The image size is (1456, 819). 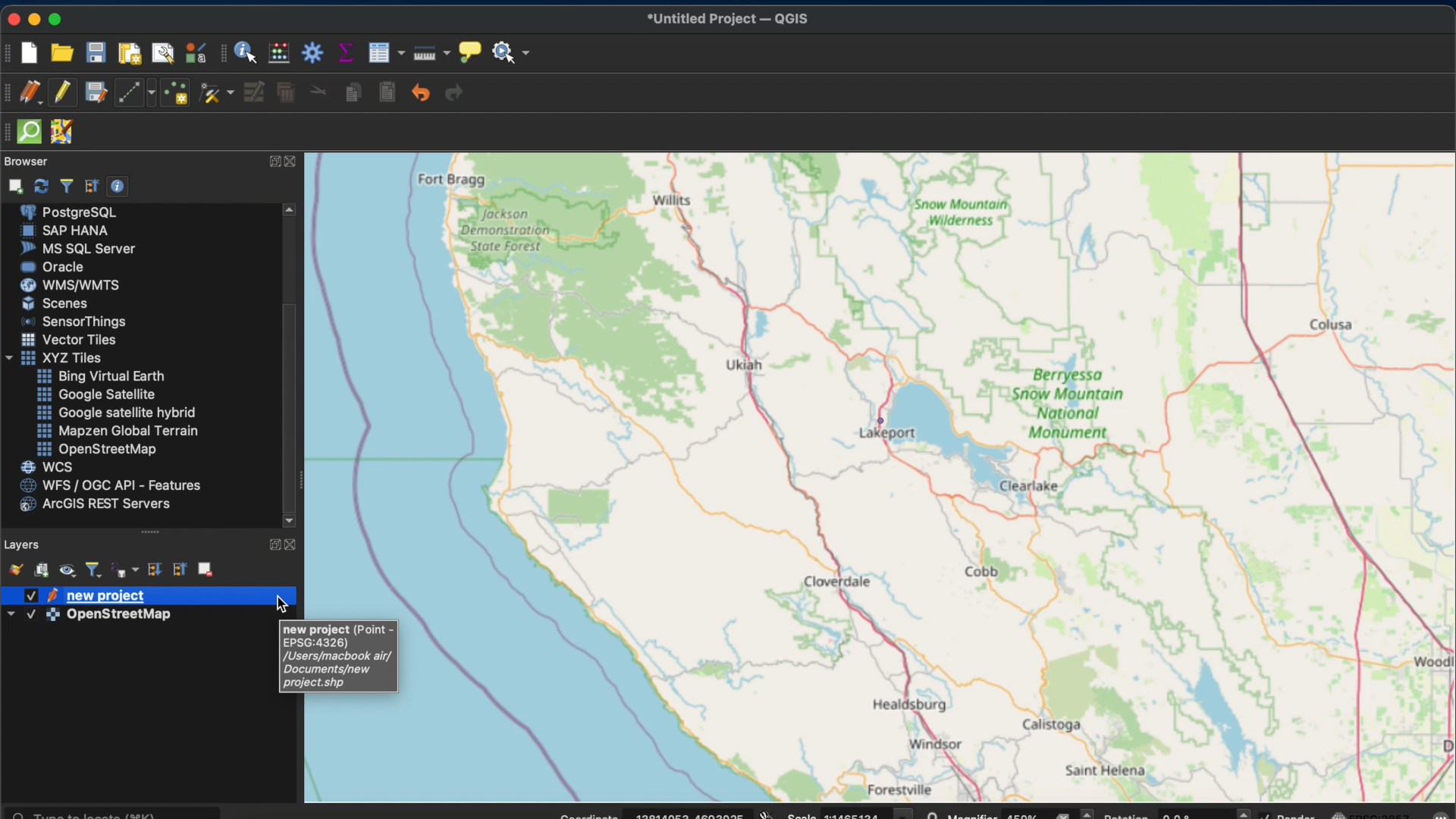 I want to click on vector tiles, so click(x=70, y=340).